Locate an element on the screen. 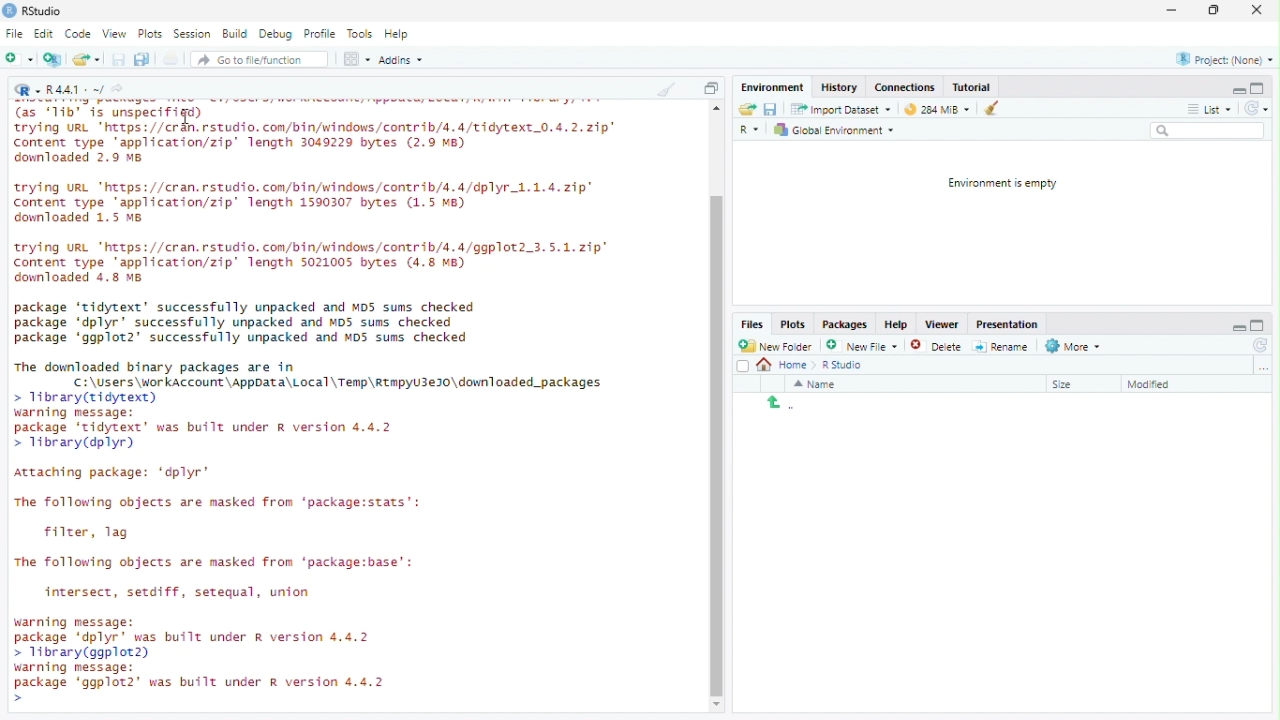 The height and width of the screenshot is (720, 1280). Profile is located at coordinates (319, 33).